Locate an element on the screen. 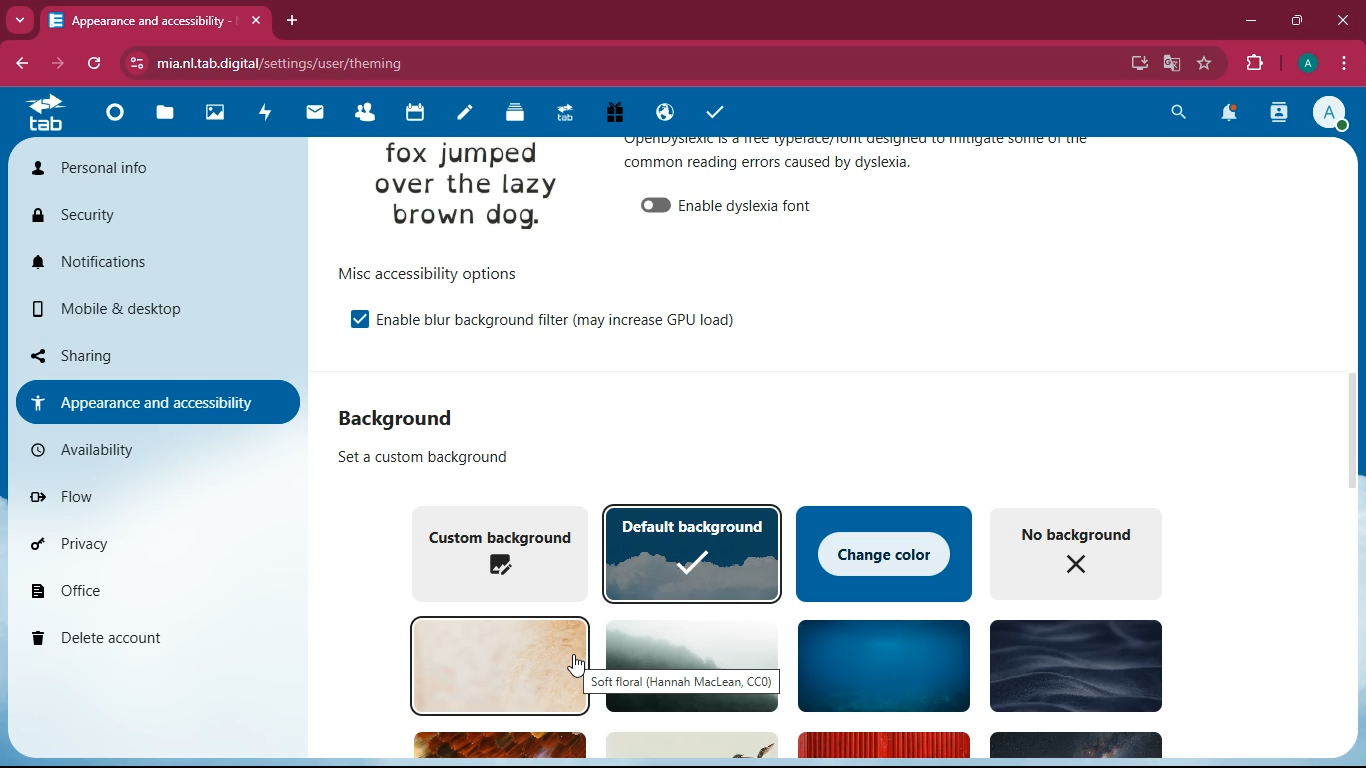 The image size is (1366, 768). cursor is located at coordinates (572, 665).